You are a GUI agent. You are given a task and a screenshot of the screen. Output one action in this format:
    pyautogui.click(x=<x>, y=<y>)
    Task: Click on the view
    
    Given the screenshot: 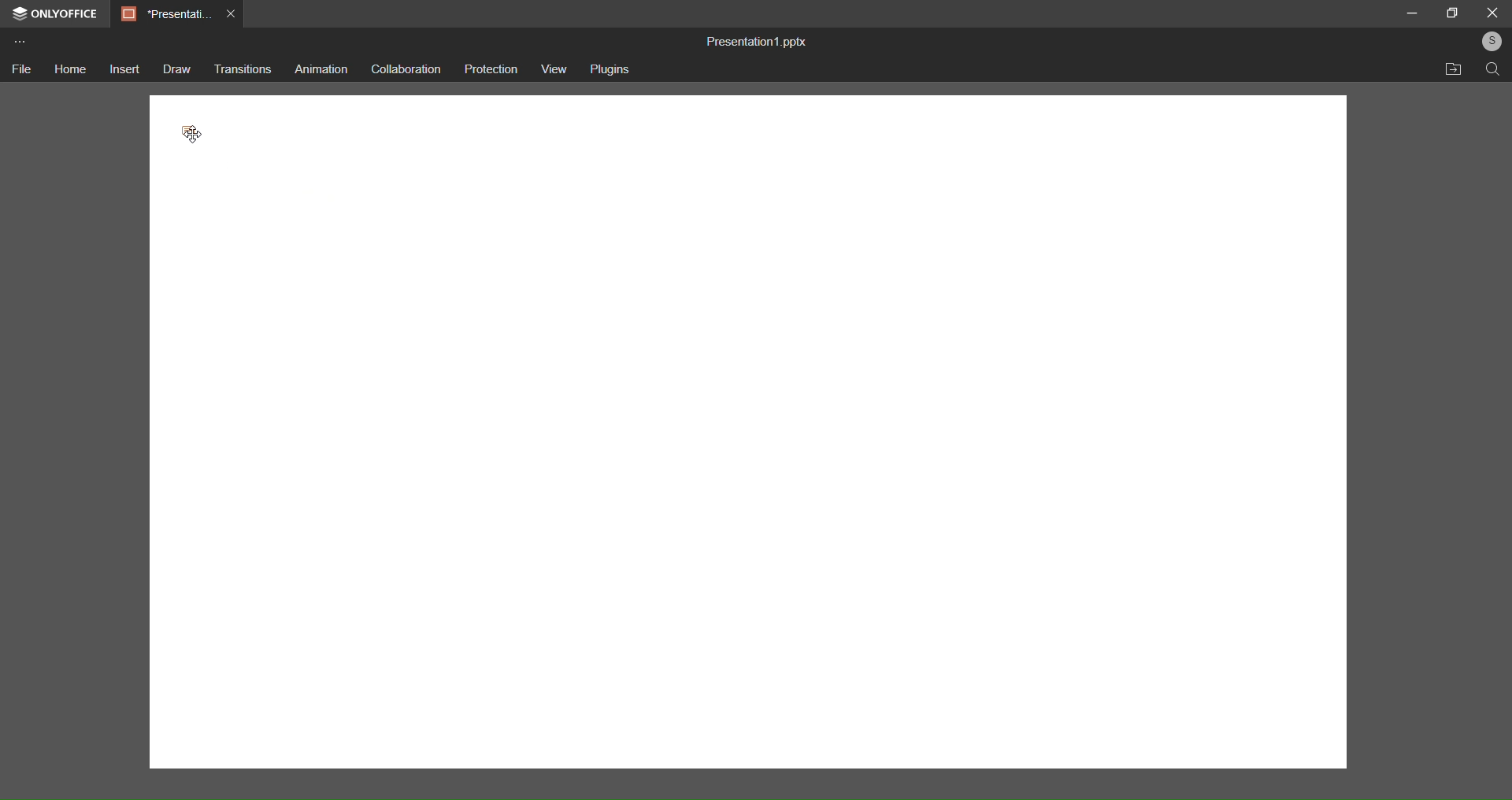 What is the action you would take?
    pyautogui.click(x=554, y=69)
    